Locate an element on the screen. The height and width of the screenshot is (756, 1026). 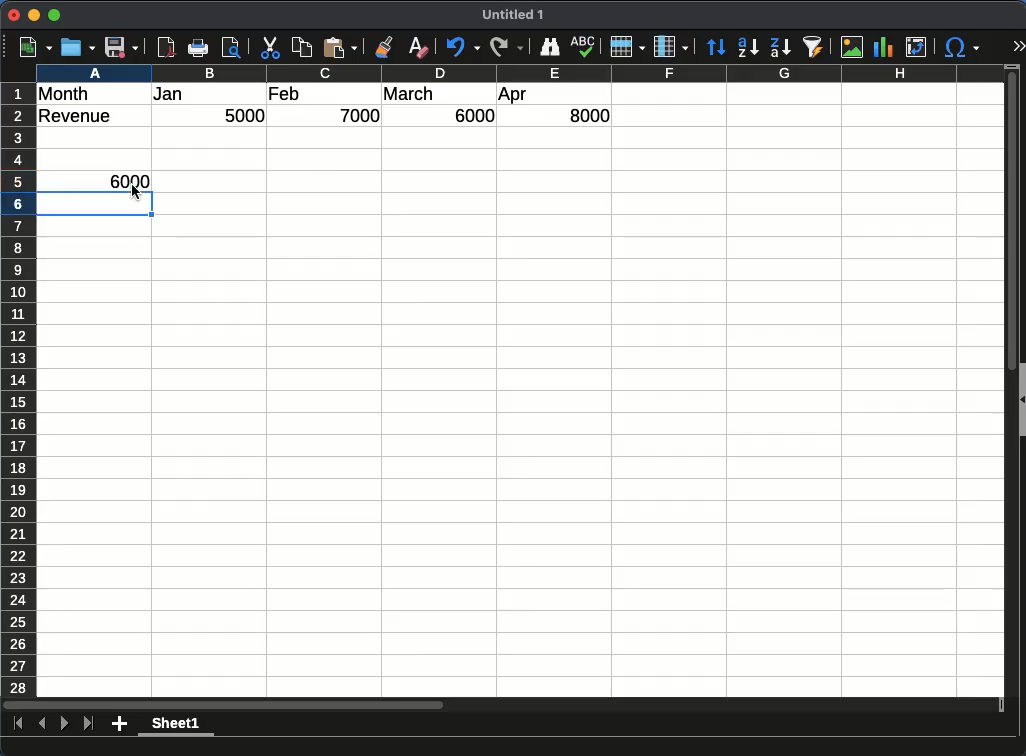
apr is located at coordinates (512, 96).